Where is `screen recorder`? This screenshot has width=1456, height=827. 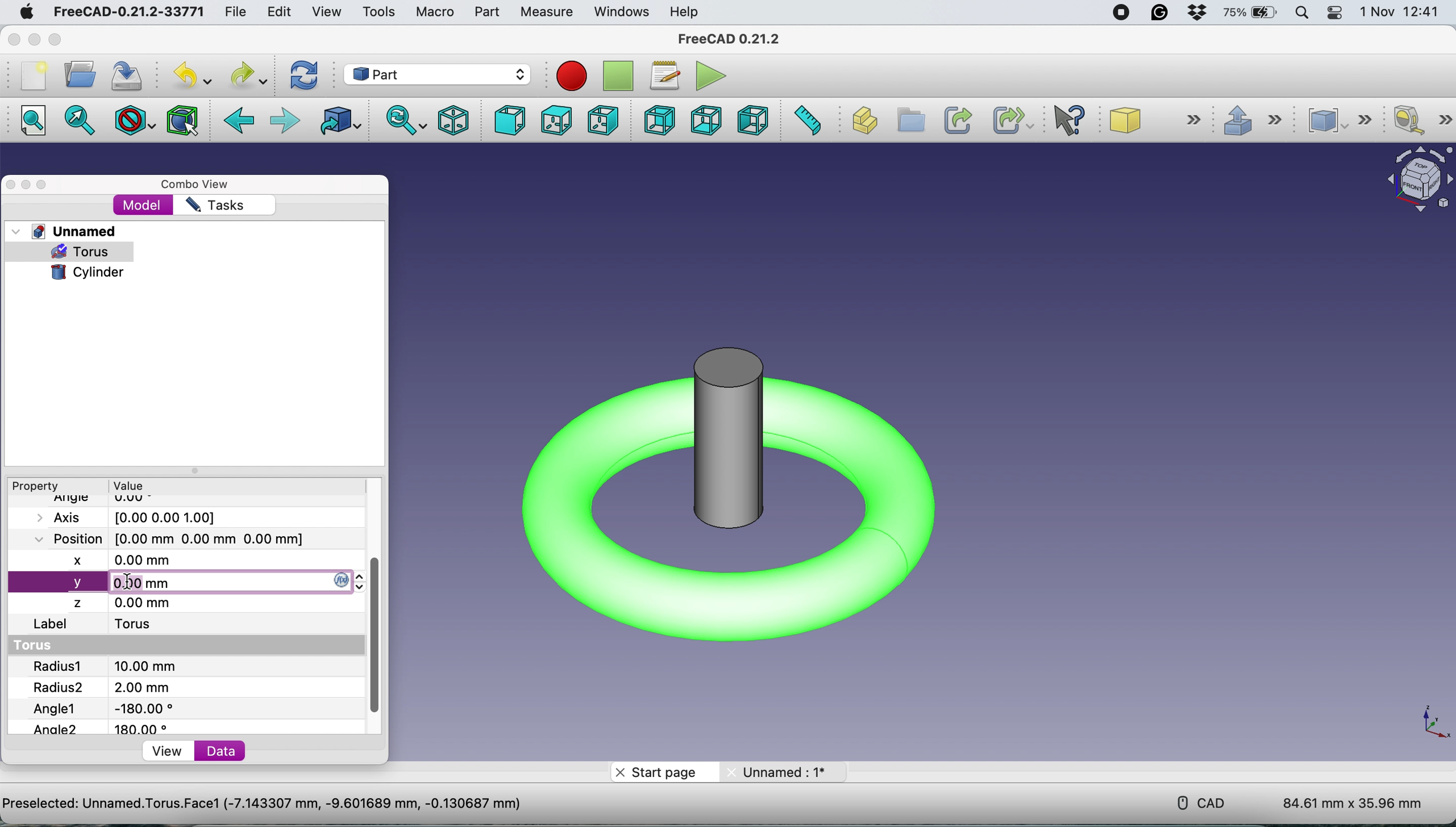 screen recorder is located at coordinates (1121, 13).